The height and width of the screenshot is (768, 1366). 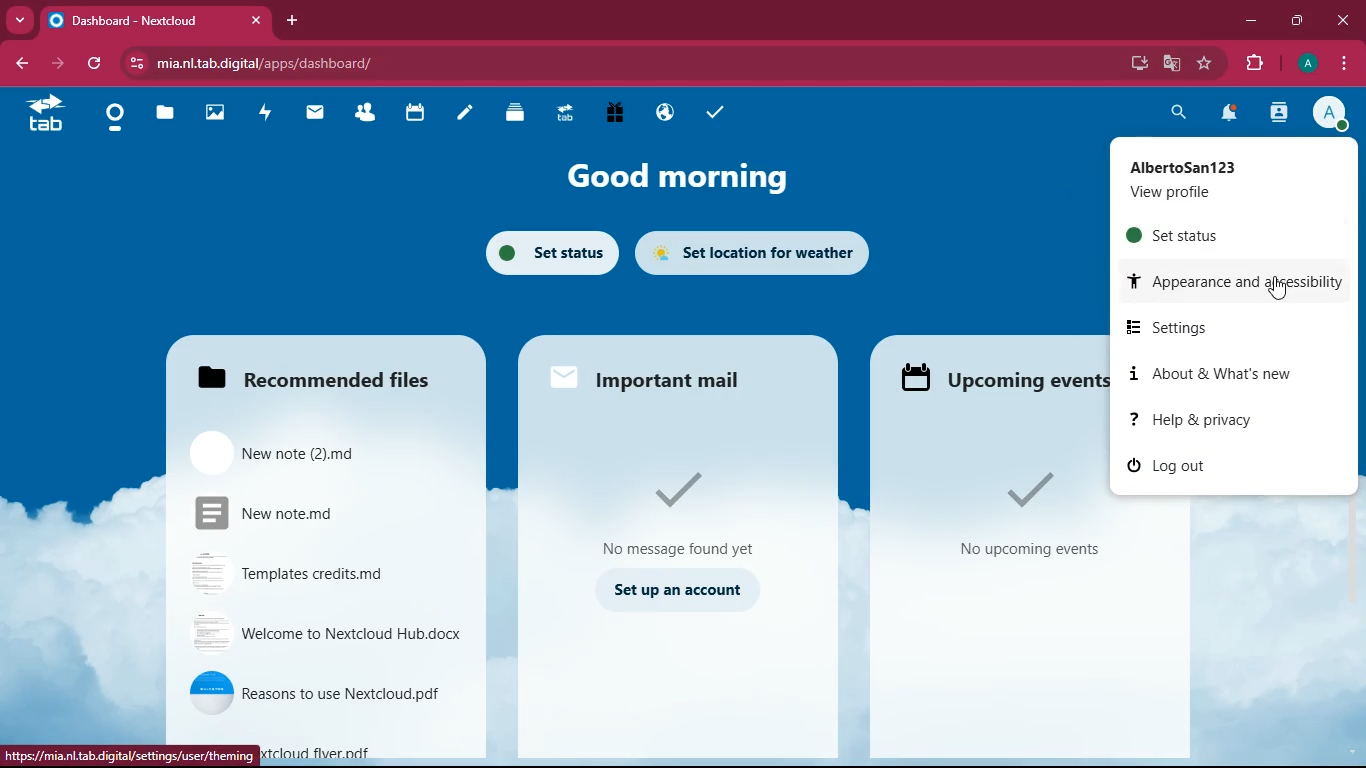 I want to click on maximize, so click(x=1297, y=22).